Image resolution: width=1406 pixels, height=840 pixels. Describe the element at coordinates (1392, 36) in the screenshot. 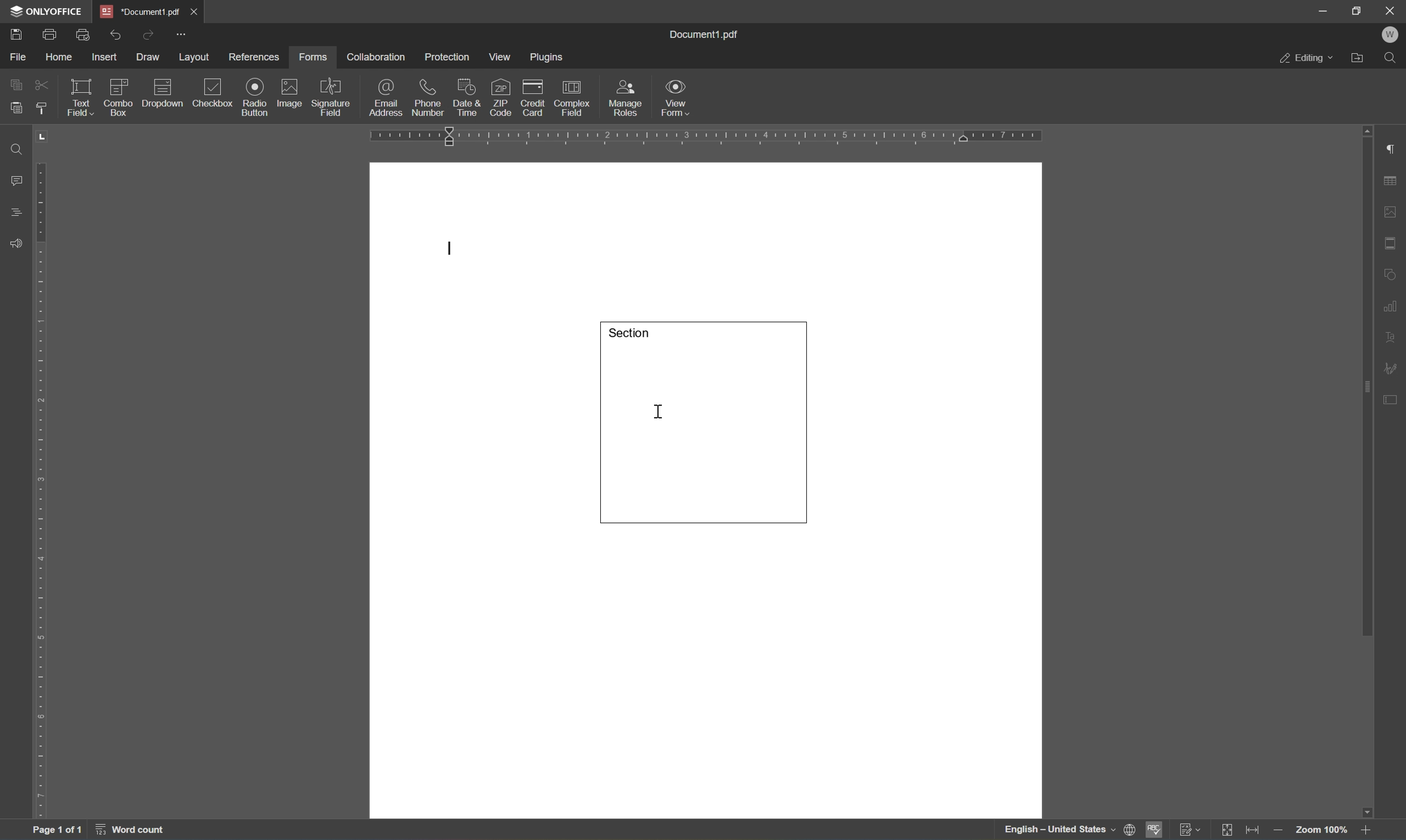

I see `W` at that location.